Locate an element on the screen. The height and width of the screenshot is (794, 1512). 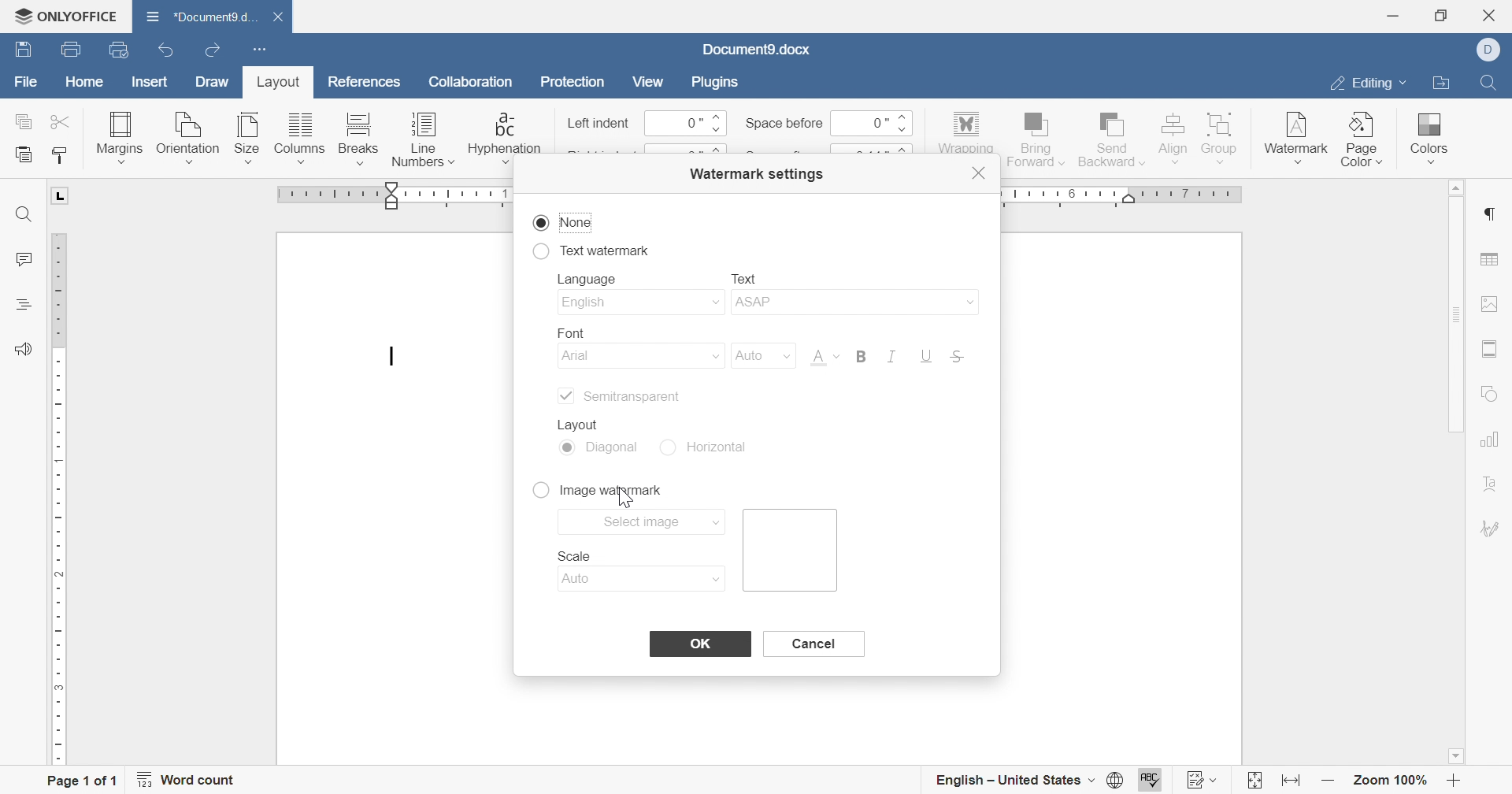
font is located at coordinates (565, 330).